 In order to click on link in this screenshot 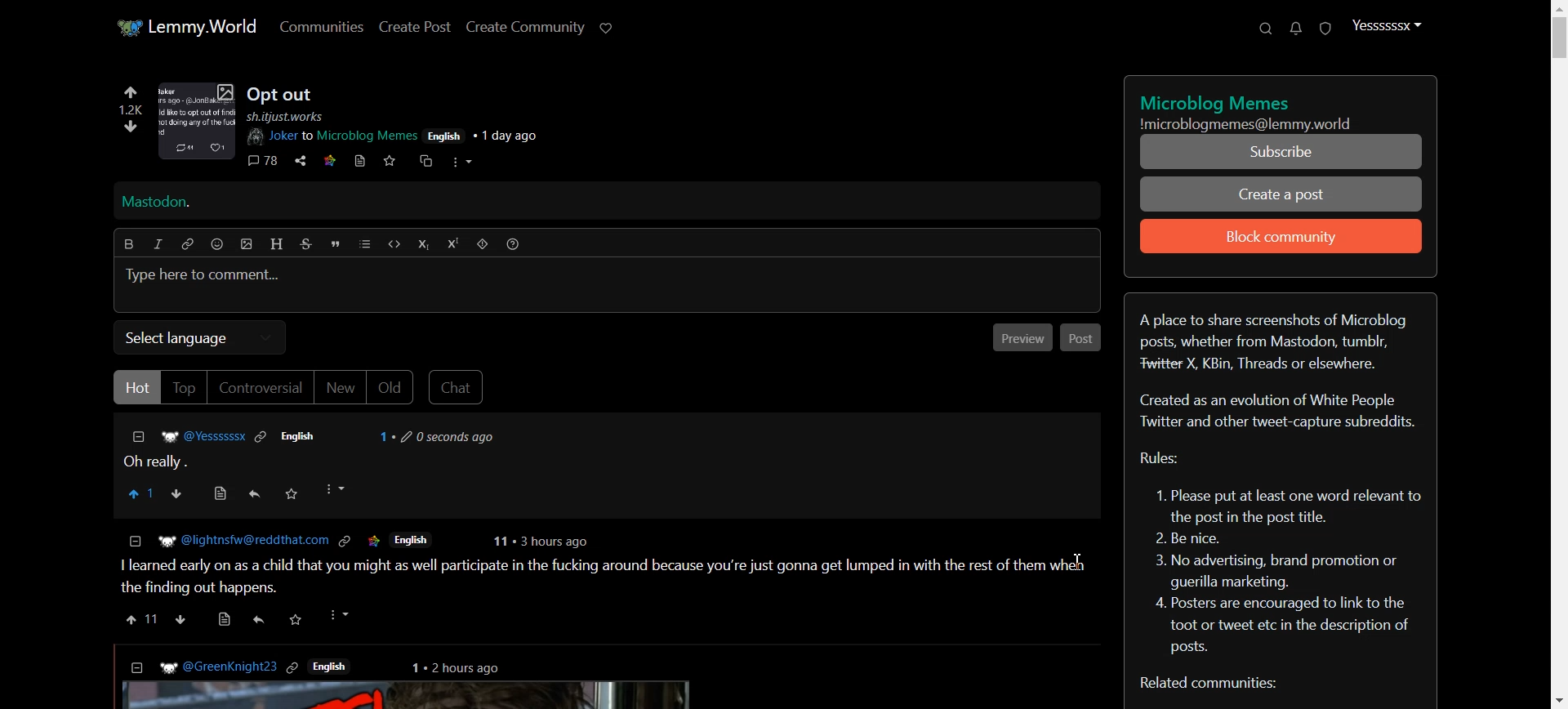, I will do `click(332, 160)`.